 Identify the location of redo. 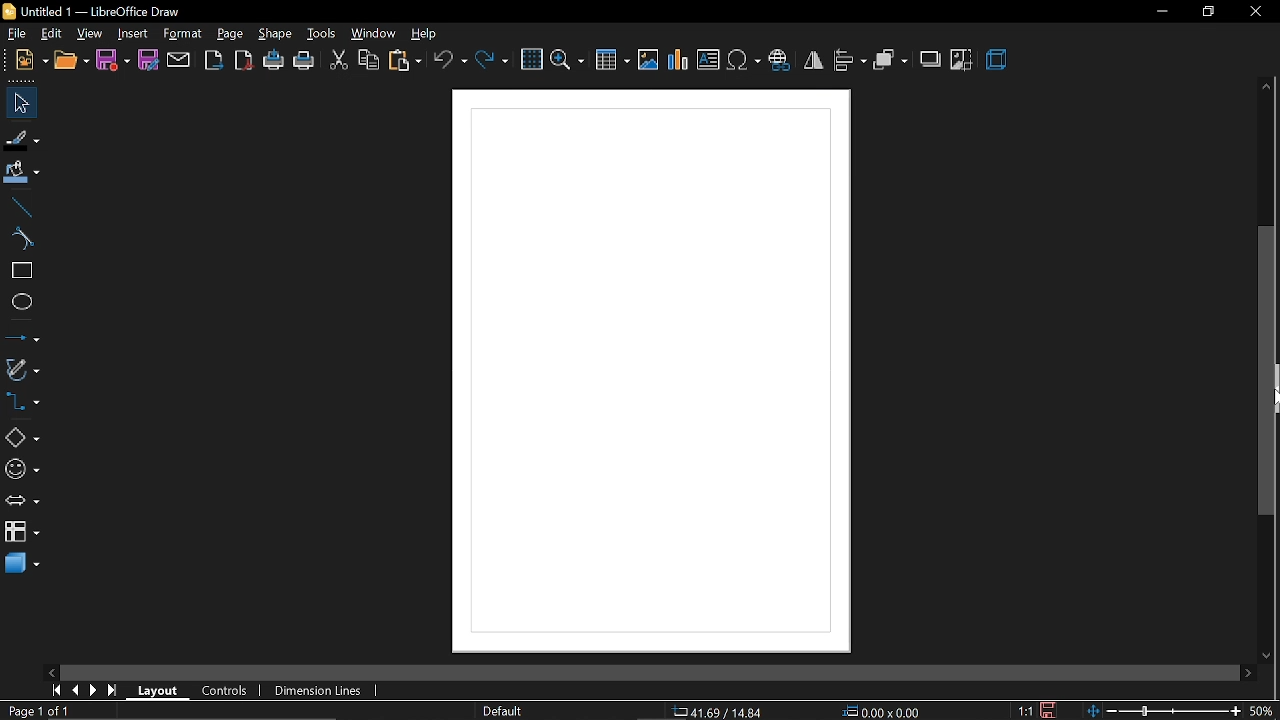
(493, 61).